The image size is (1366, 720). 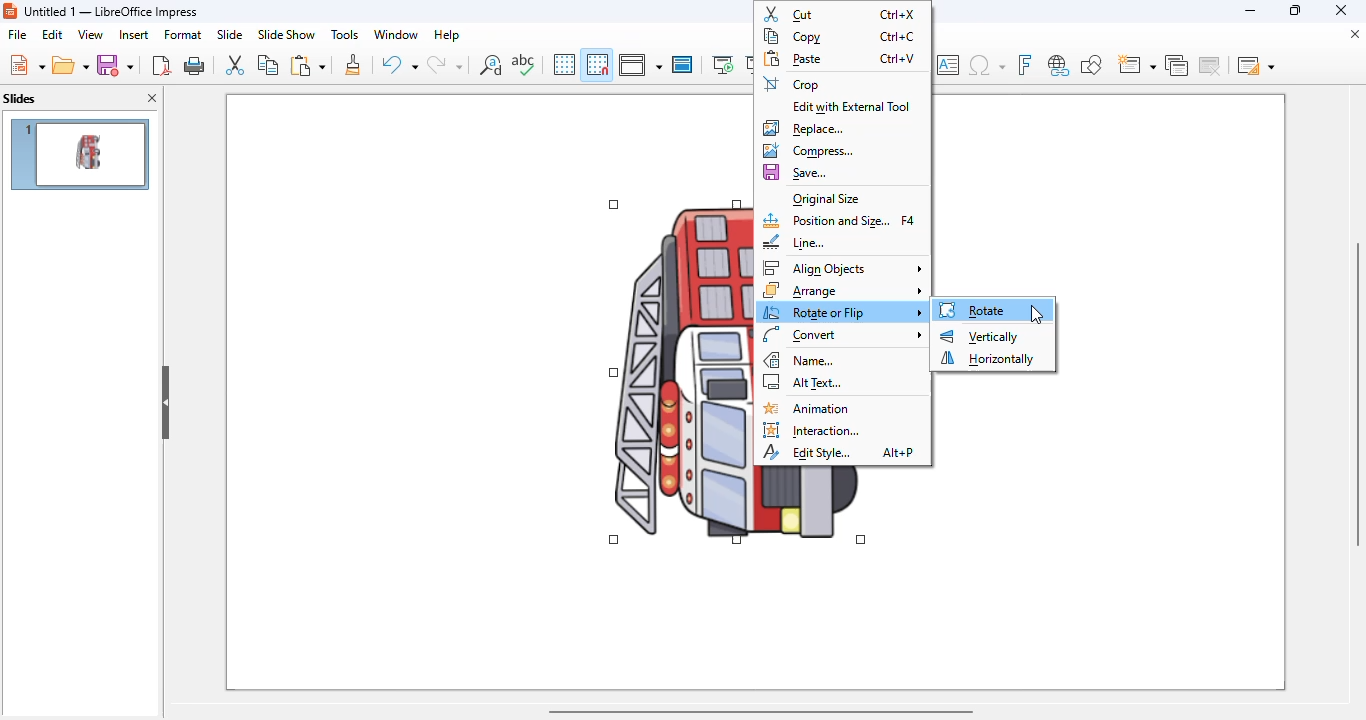 What do you see at coordinates (843, 335) in the screenshot?
I see `convert` at bounding box center [843, 335].